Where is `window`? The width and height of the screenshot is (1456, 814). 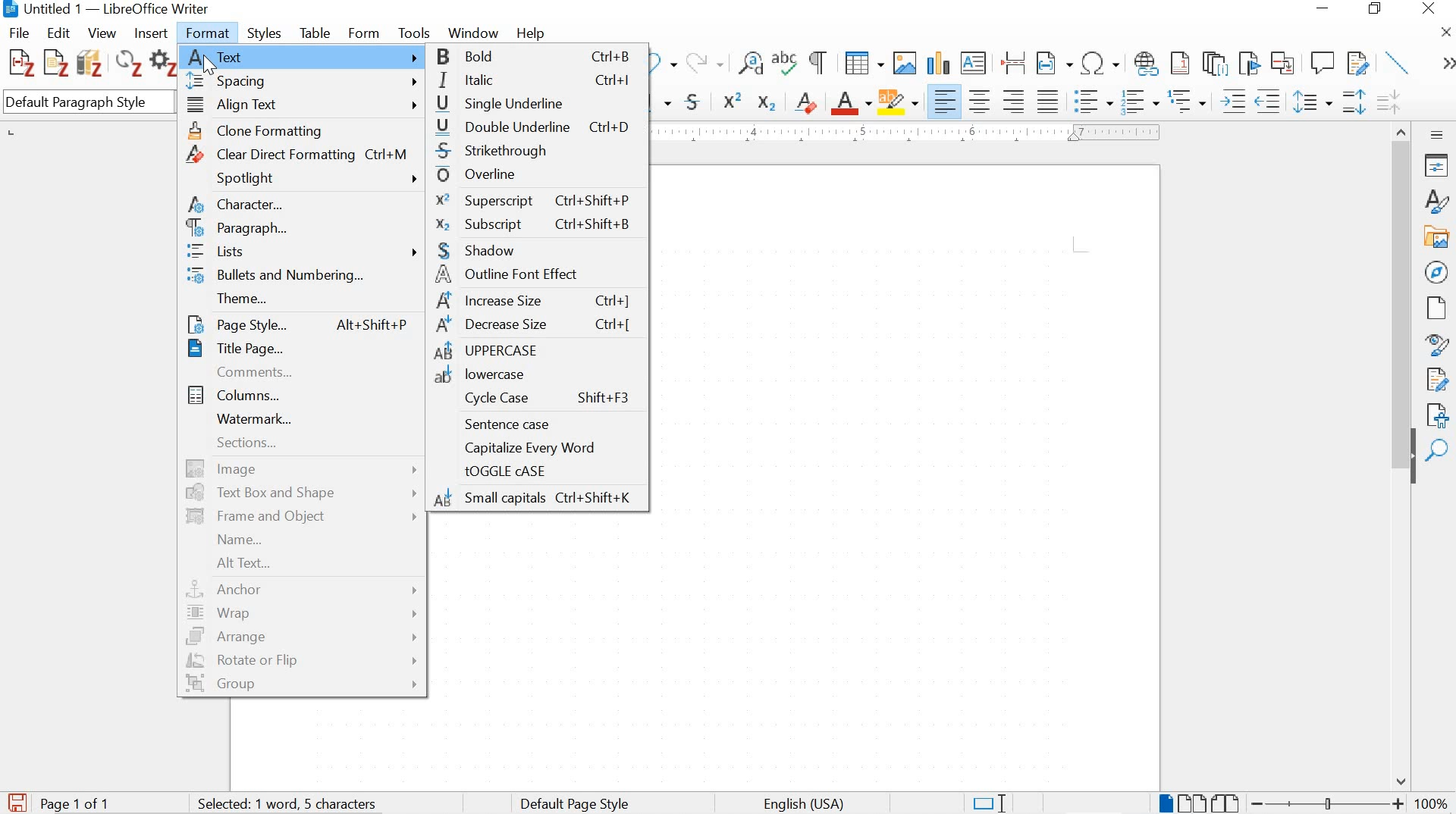
window is located at coordinates (472, 33).